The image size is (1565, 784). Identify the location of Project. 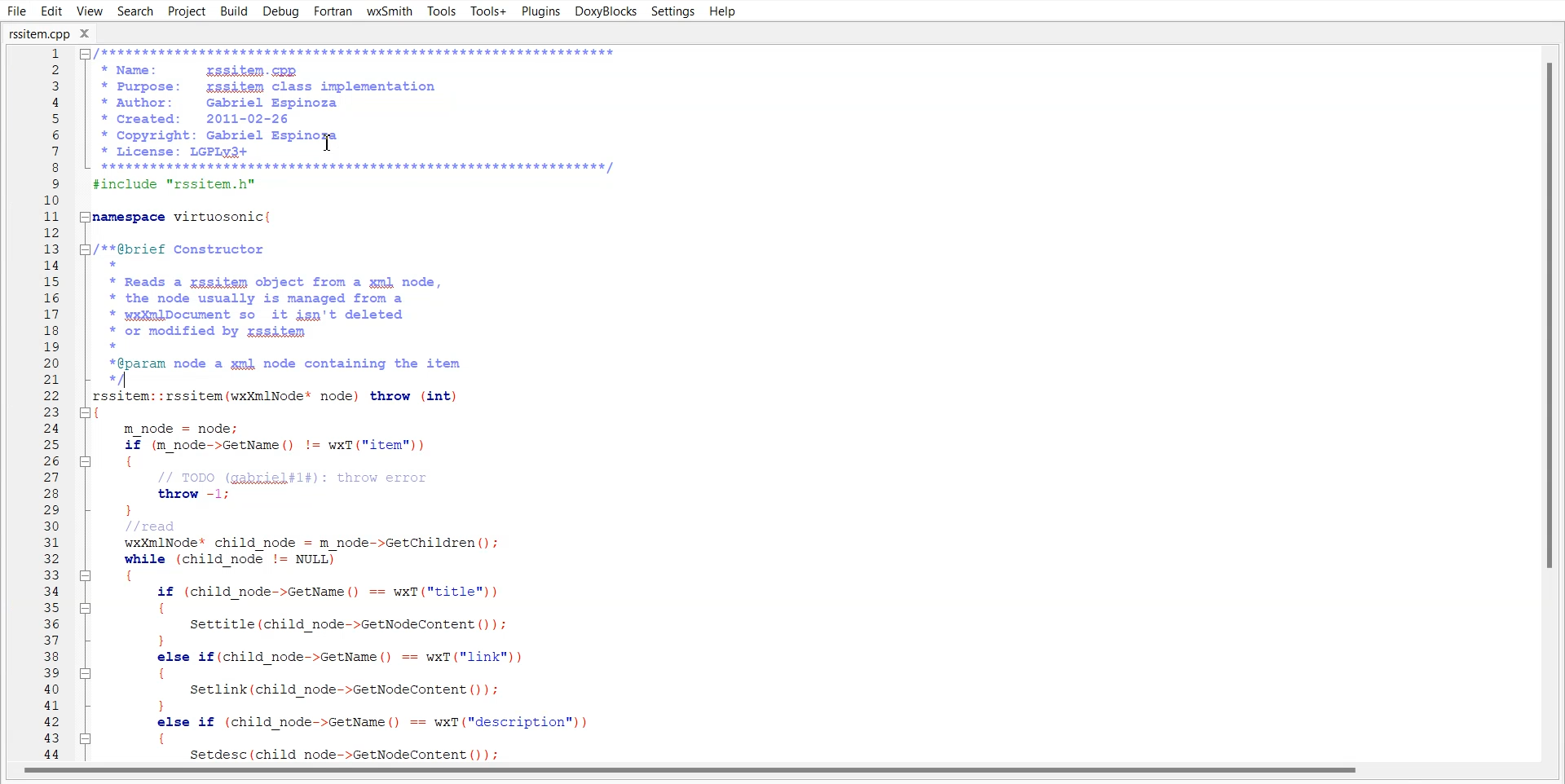
(187, 11).